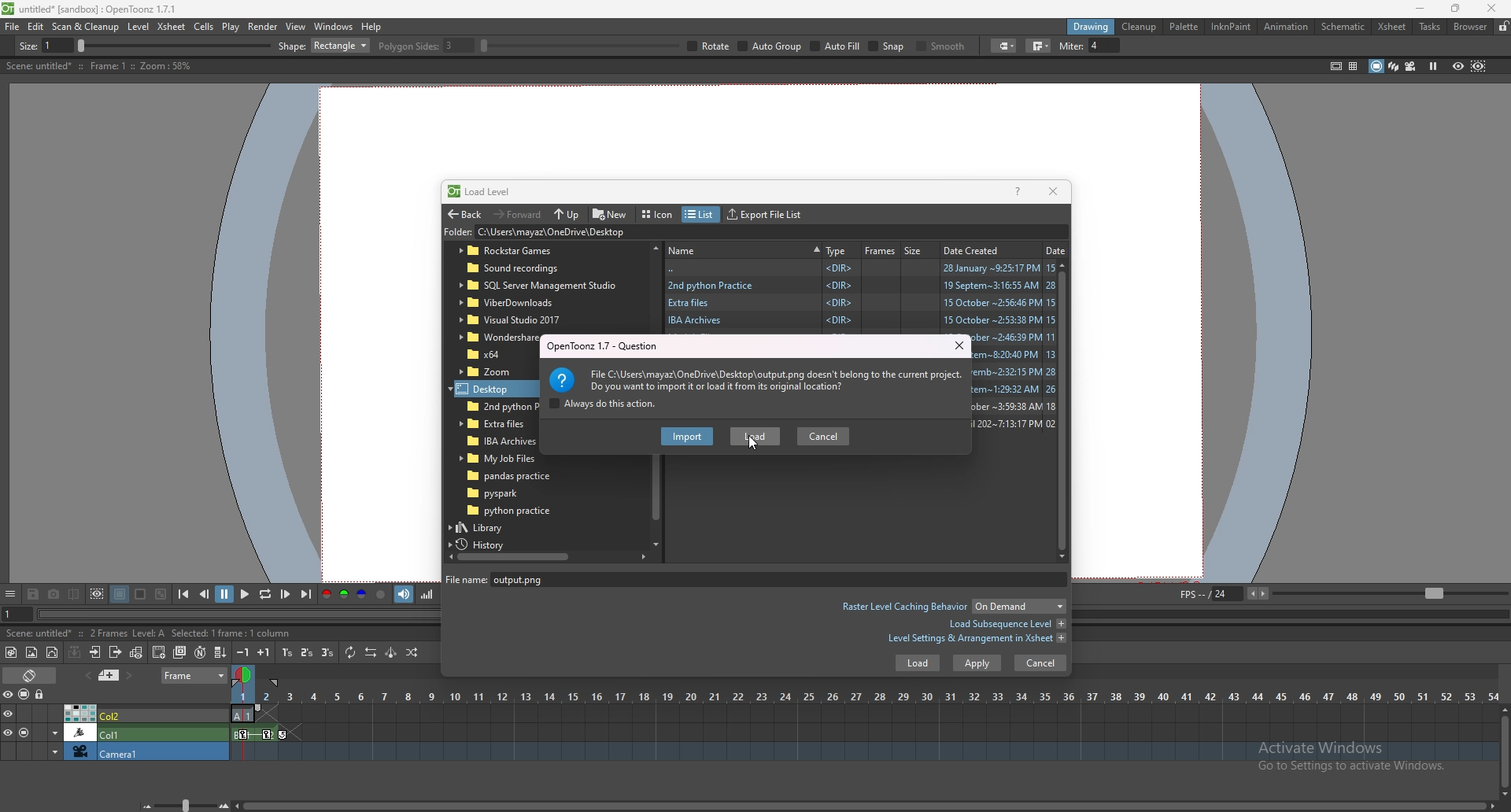 Image resolution: width=1511 pixels, height=812 pixels. Describe the element at coordinates (611, 213) in the screenshot. I see `new` at that location.